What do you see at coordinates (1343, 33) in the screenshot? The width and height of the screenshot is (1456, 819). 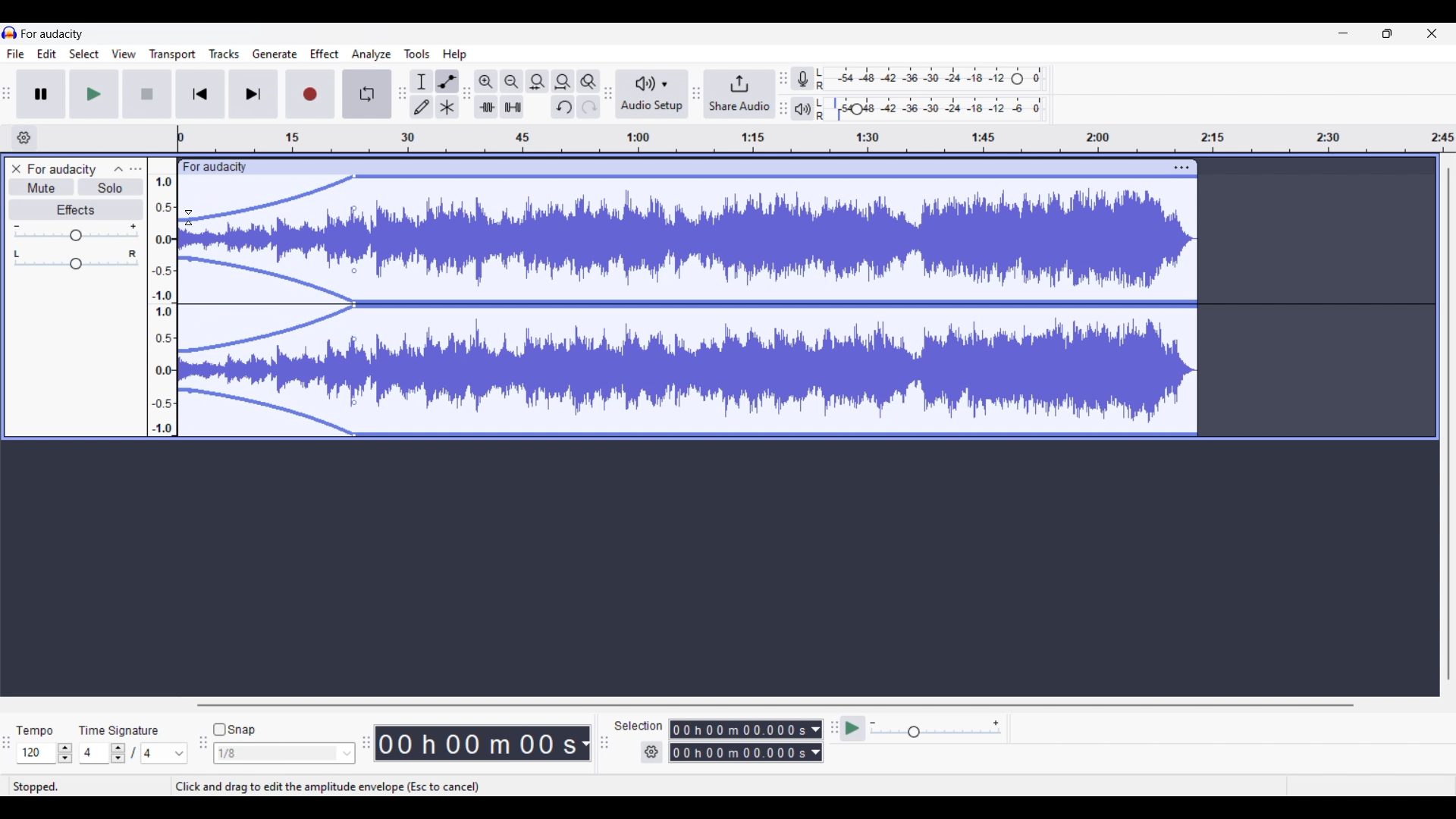 I see `Minimize ` at bounding box center [1343, 33].